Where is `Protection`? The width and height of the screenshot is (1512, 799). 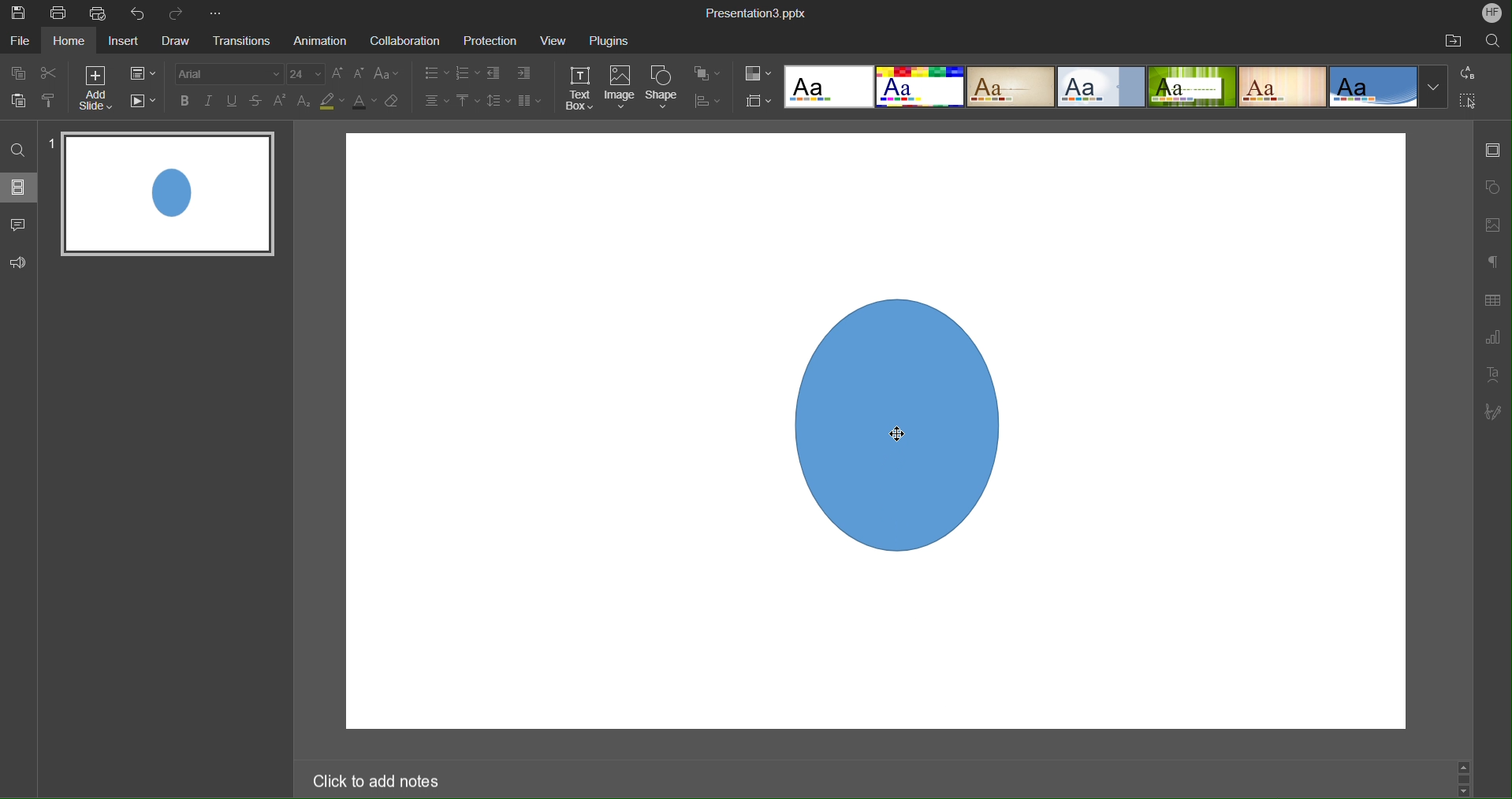 Protection is located at coordinates (492, 40).